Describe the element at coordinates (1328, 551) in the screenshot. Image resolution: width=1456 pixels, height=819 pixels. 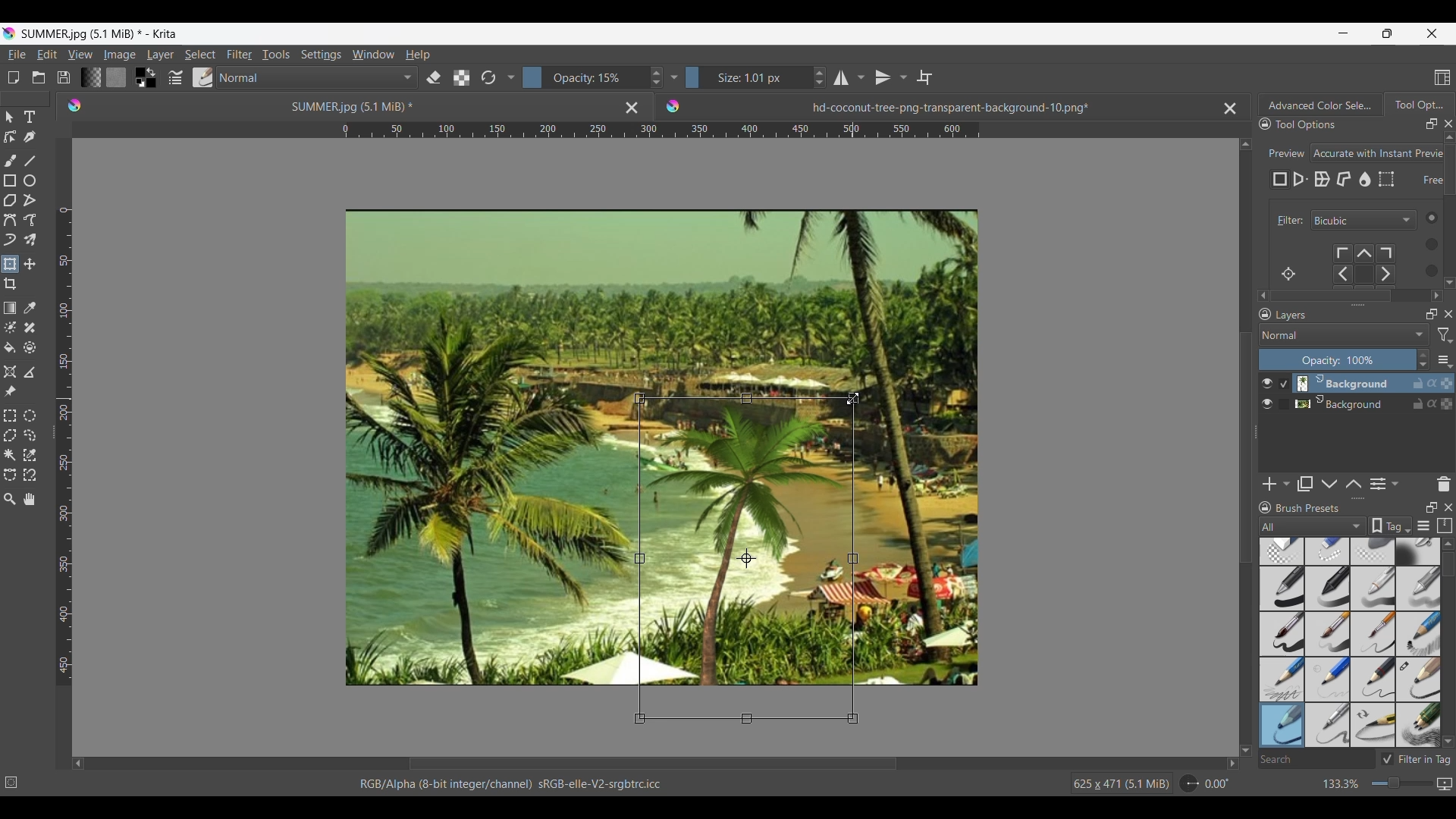
I see `Eraser small` at that location.